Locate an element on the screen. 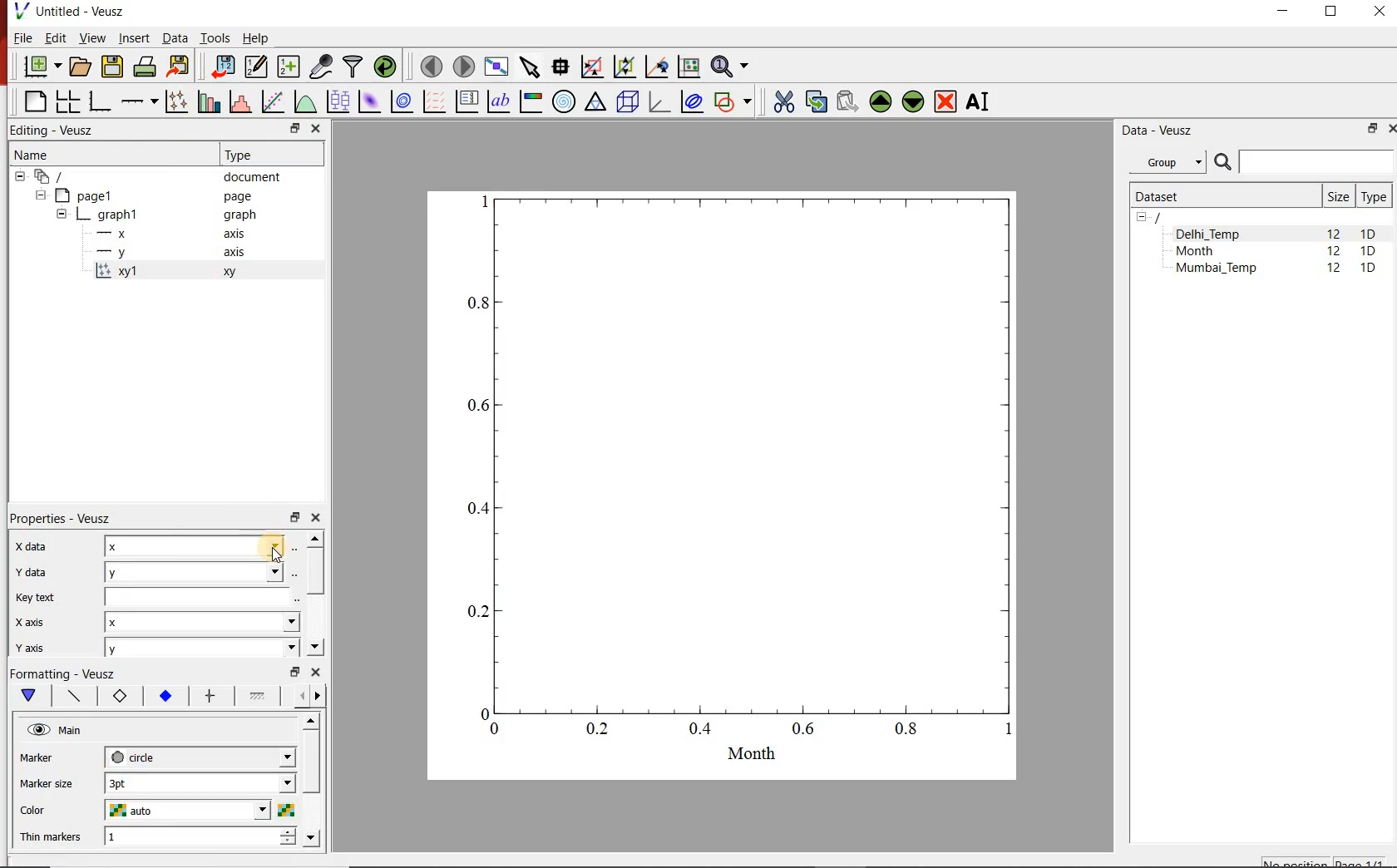 The height and width of the screenshot is (868, 1397). close is located at coordinates (314, 518).